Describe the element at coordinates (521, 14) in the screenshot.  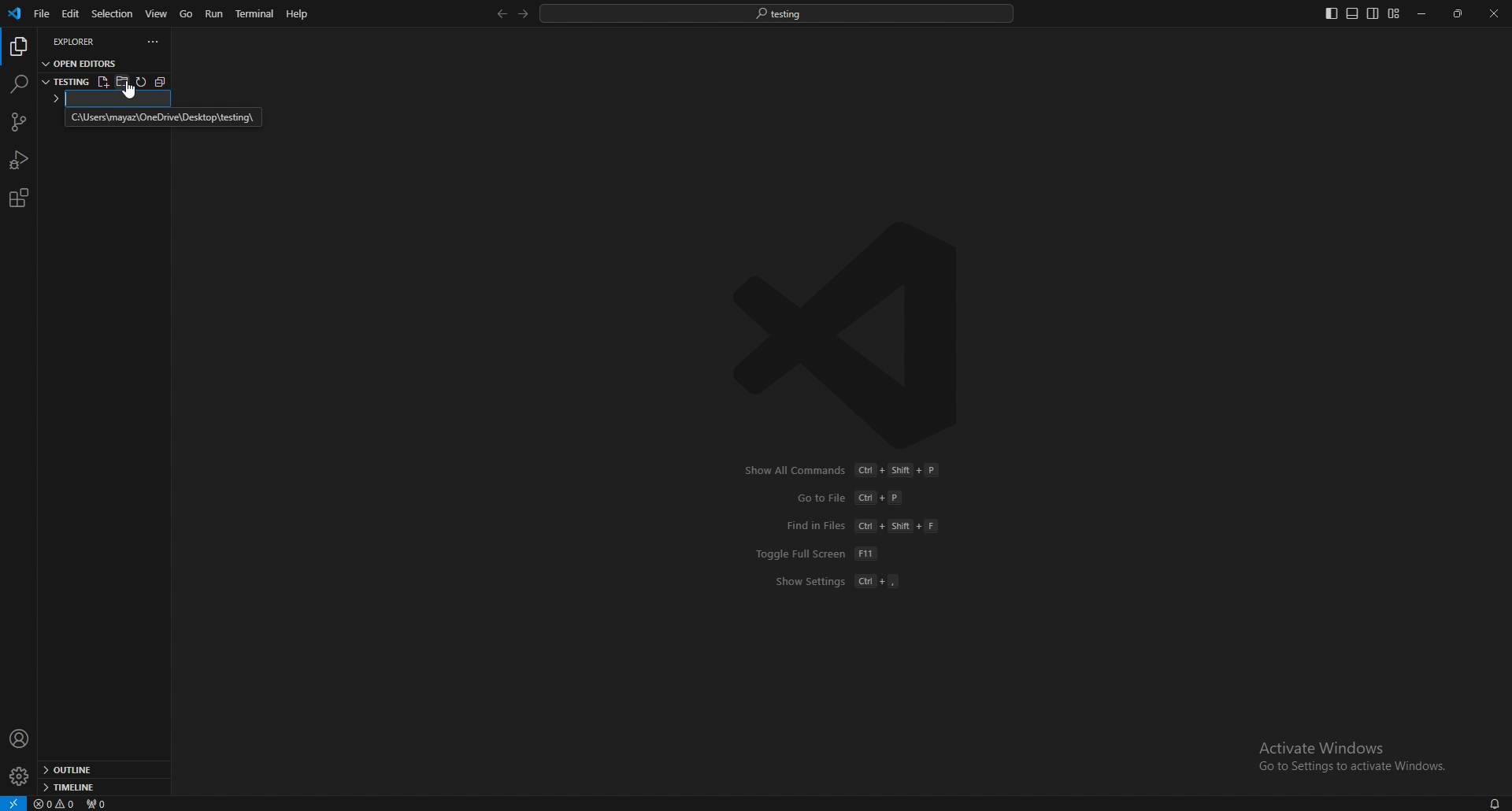
I see `forward` at that location.